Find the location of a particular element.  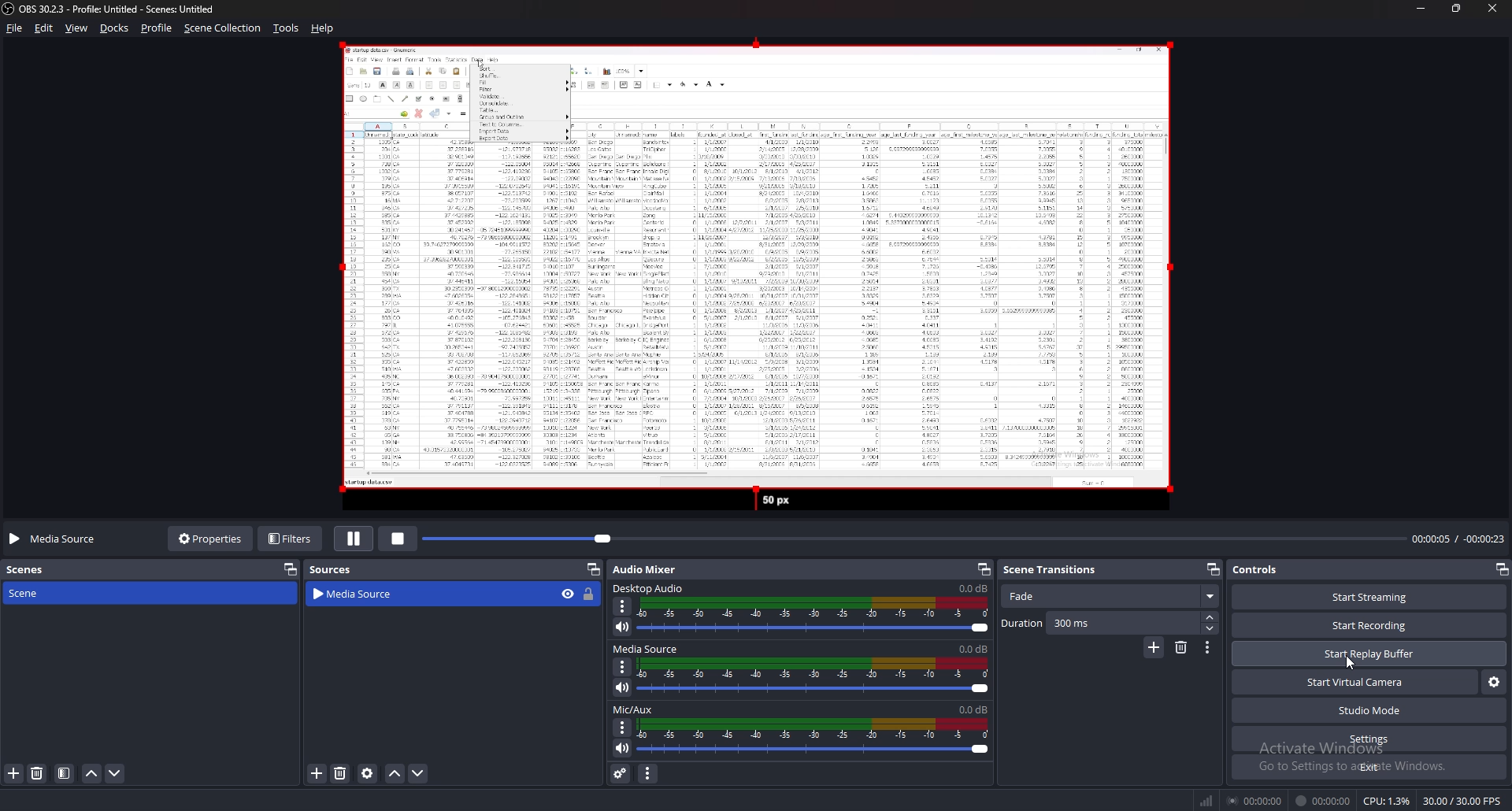

scene transitions is located at coordinates (1060, 570).